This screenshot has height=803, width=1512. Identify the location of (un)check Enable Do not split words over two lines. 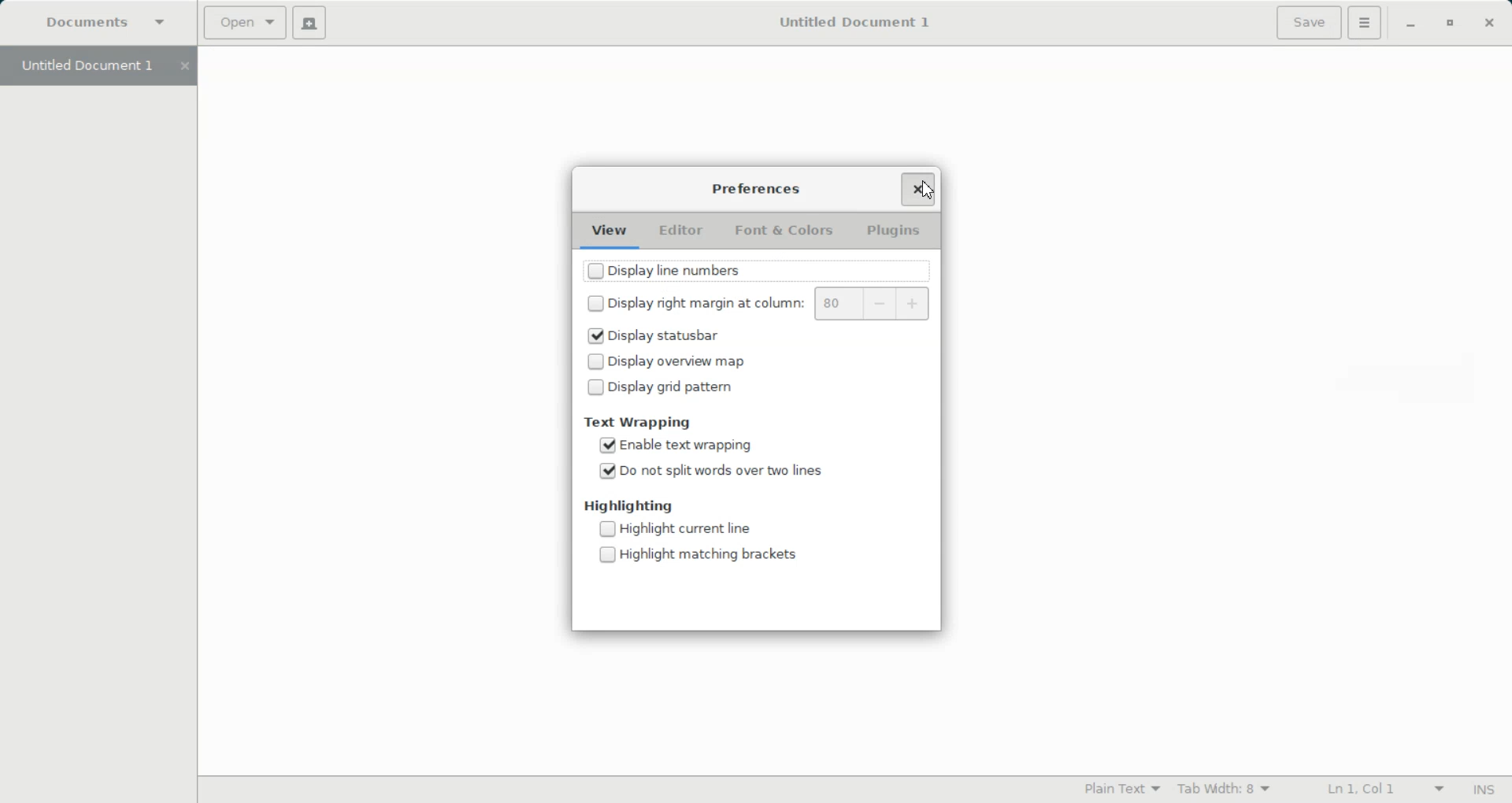
(711, 470).